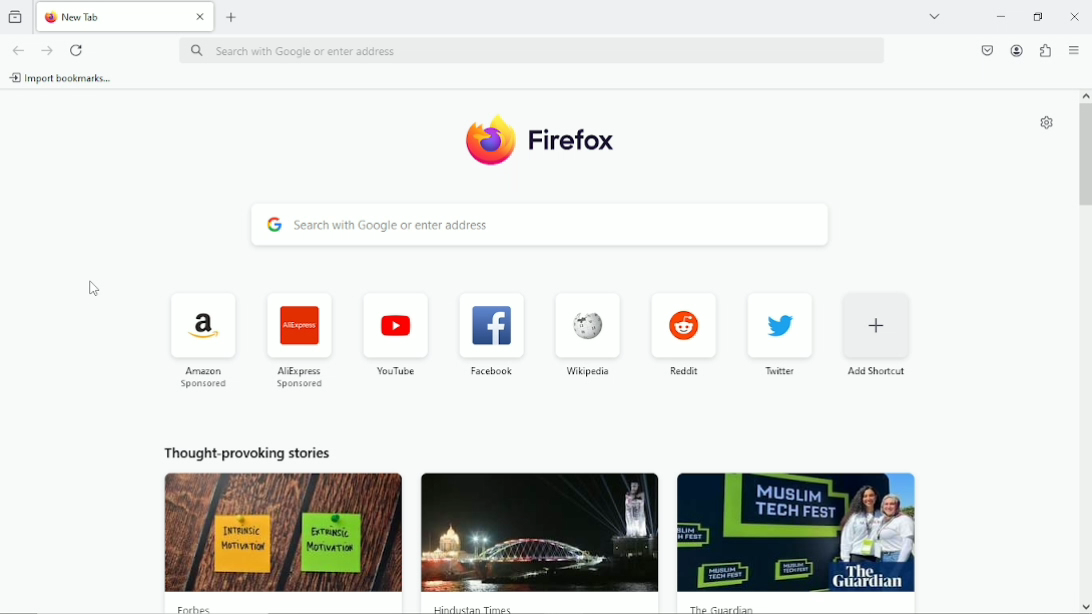 The width and height of the screenshot is (1092, 614). I want to click on image, so click(795, 532).